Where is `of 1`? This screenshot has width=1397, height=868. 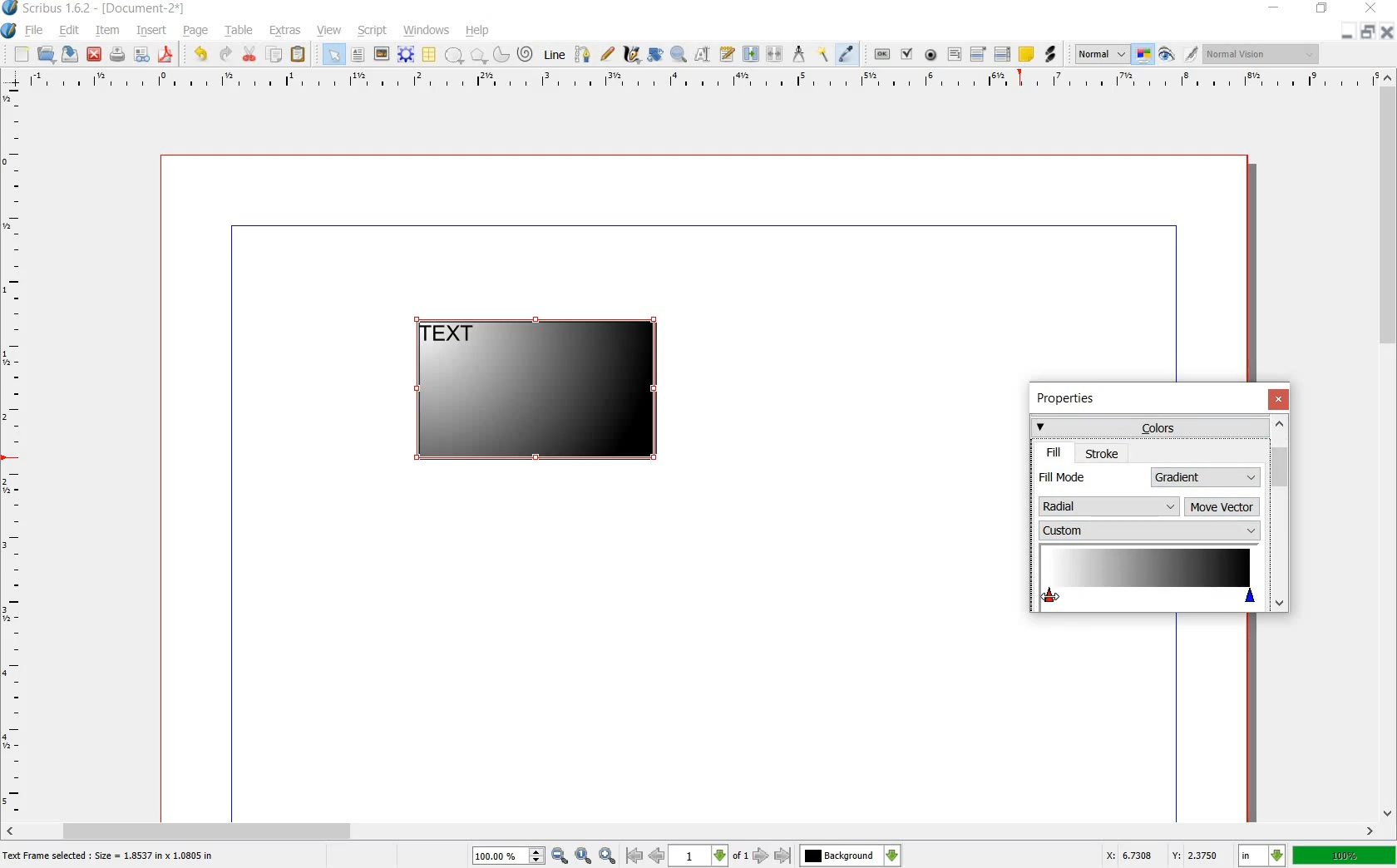 of 1 is located at coordinates (739, 857).